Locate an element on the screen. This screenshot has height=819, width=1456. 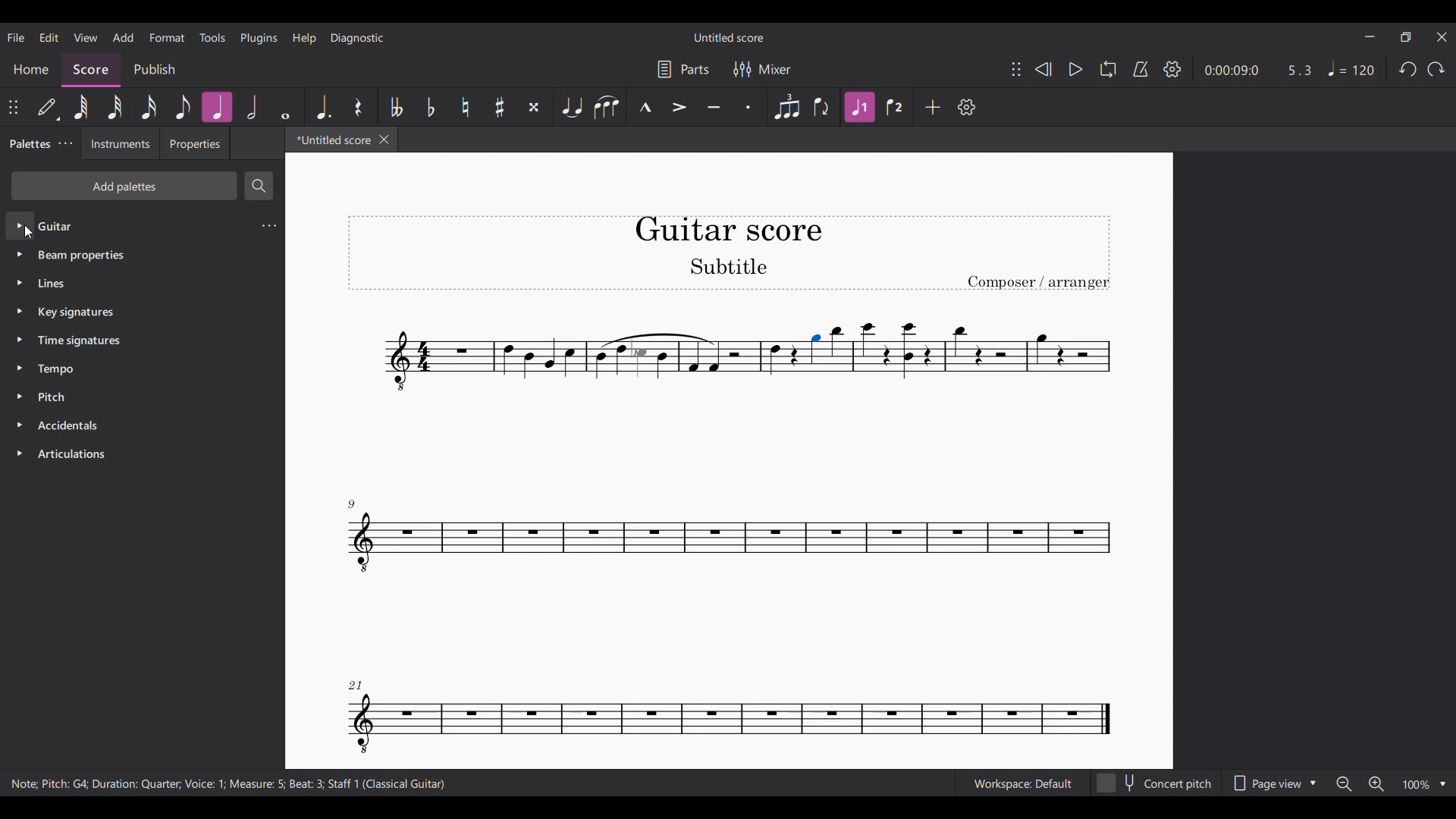
Diagnostic menu is located at coordinates (357, 39).